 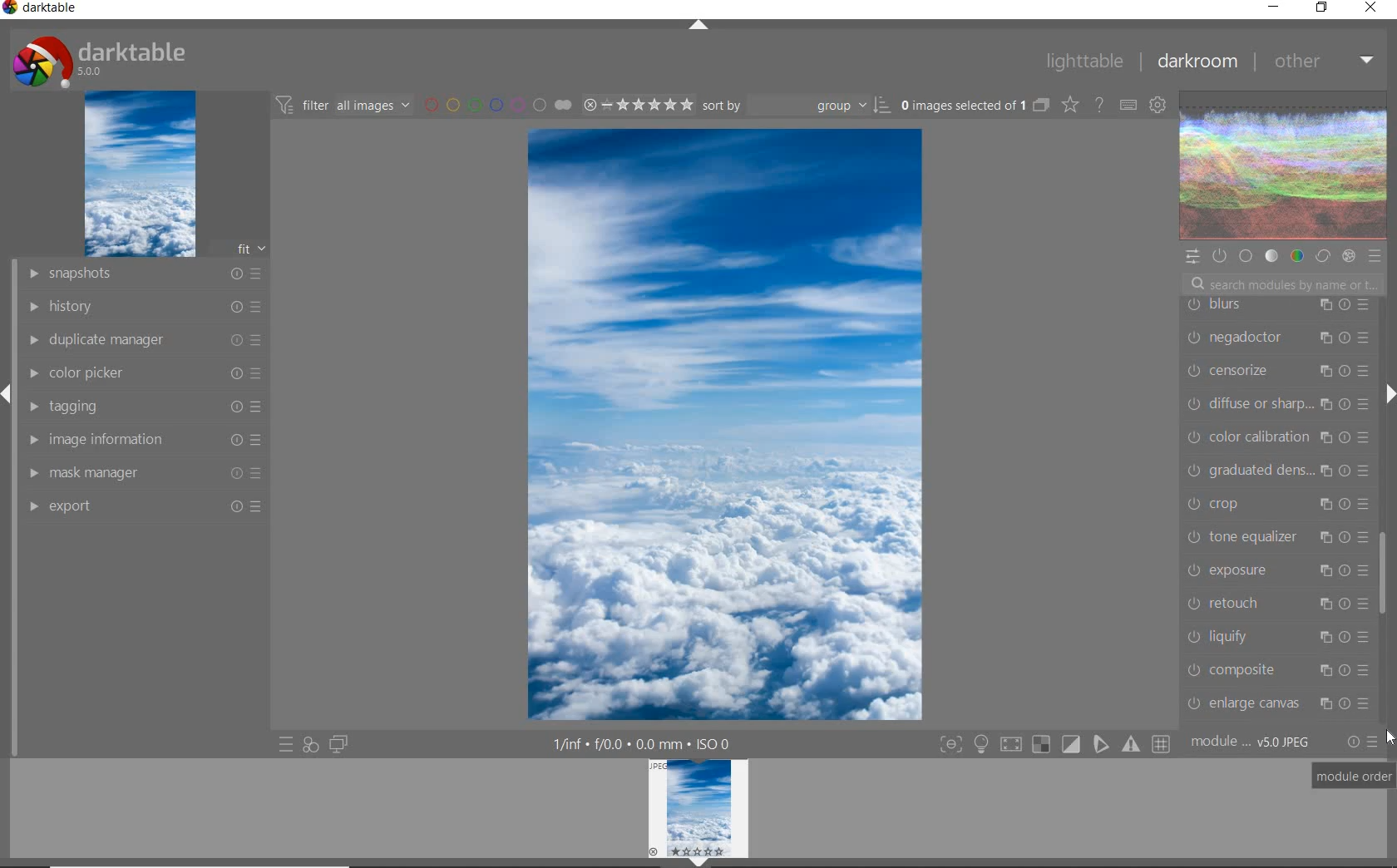 I want to click on DUPLICATE MANAGER, so click(x=142, y=340).